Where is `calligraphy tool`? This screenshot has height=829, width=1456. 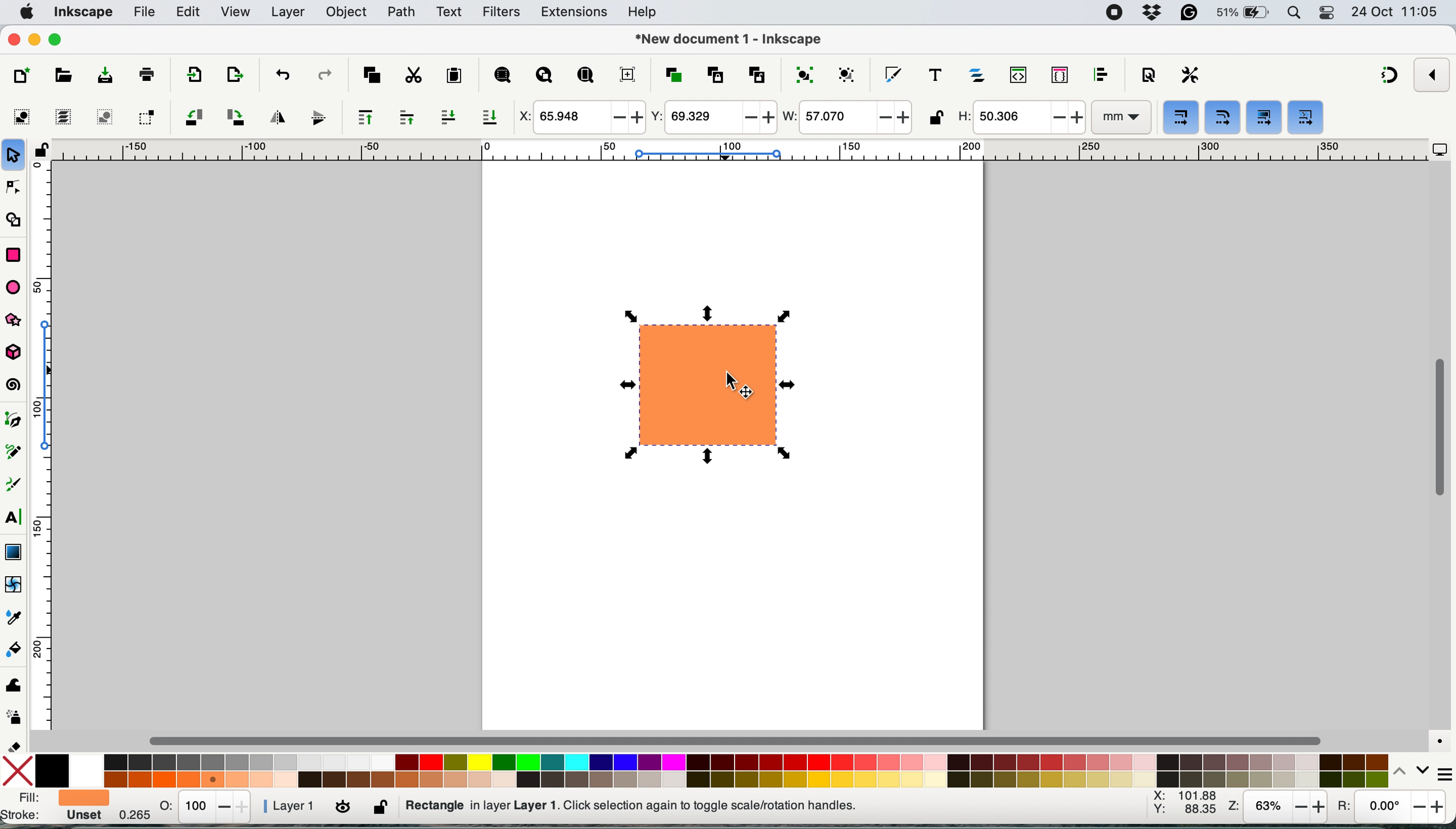
calligraphy tool is located at coordinates (15, 485).